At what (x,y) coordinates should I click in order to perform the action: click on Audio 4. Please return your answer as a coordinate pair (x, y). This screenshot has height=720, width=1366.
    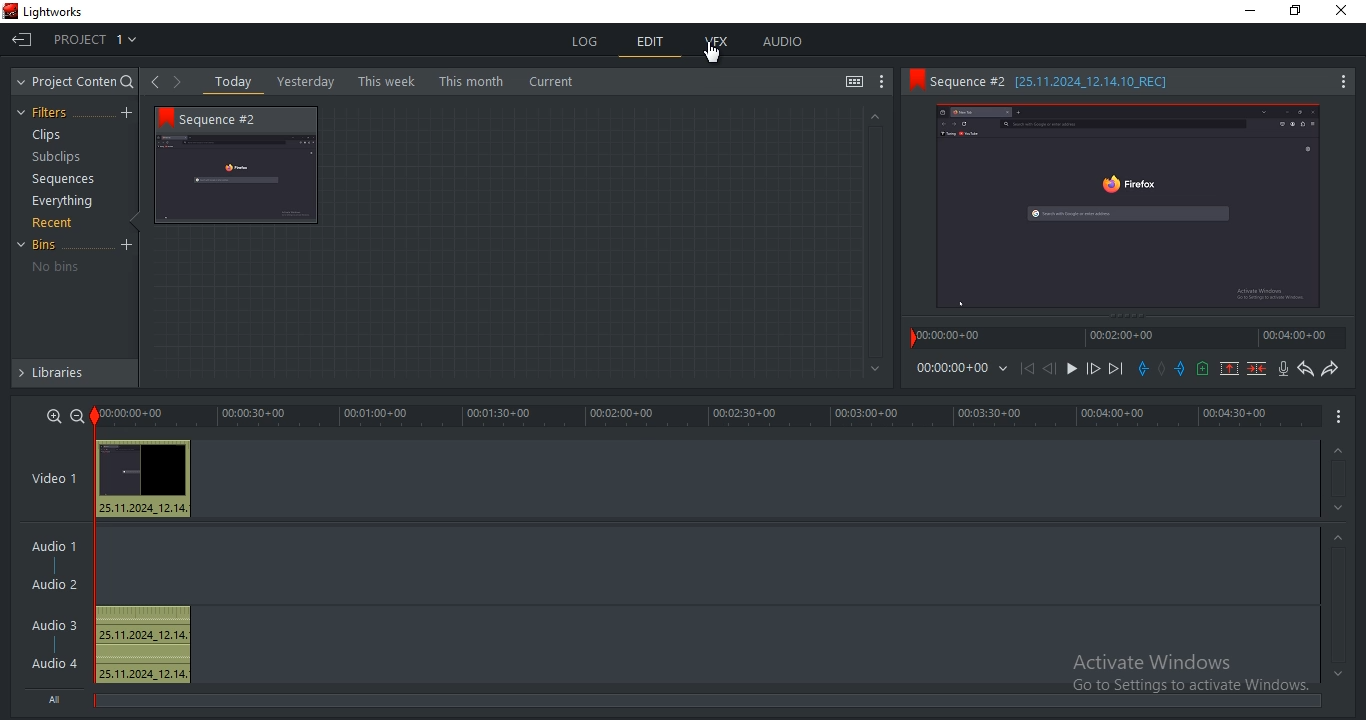
    Looking at the image, I should click on (59, 665).